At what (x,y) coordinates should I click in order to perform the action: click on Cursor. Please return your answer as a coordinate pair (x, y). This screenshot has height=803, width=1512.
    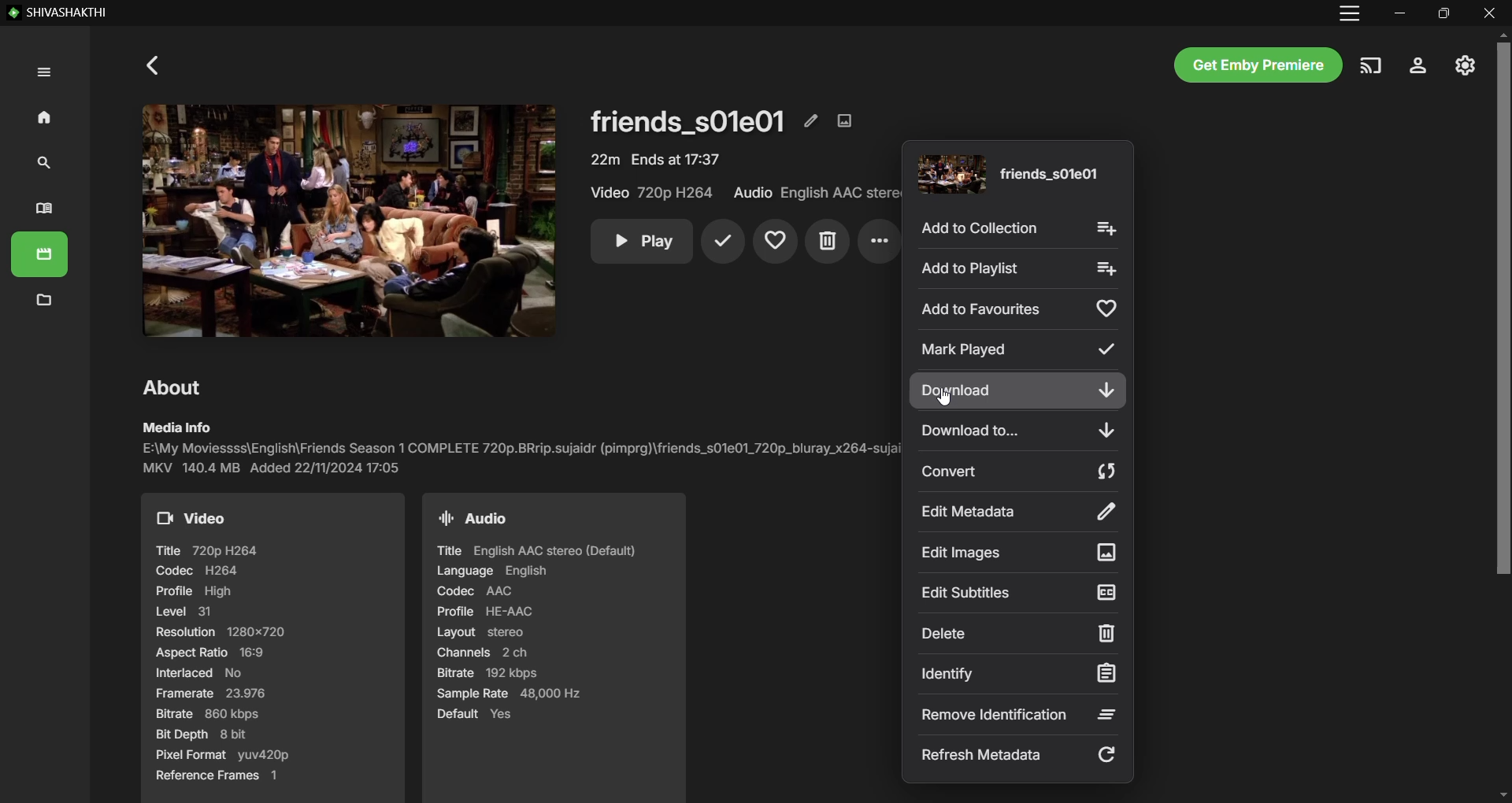
    Looking at the image, I should click on (943, 396).